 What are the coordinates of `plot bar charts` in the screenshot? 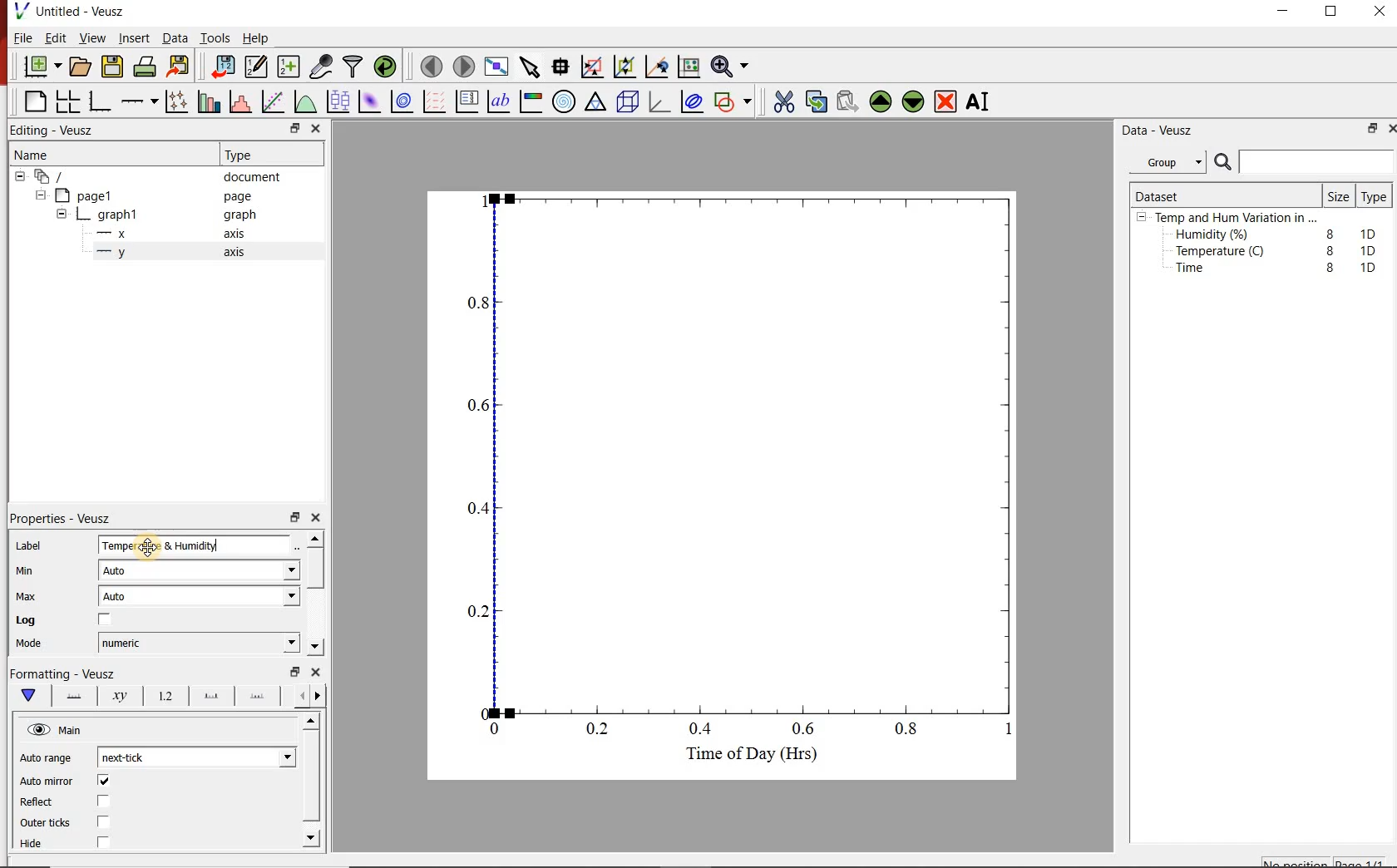 It's located at (210, 99).